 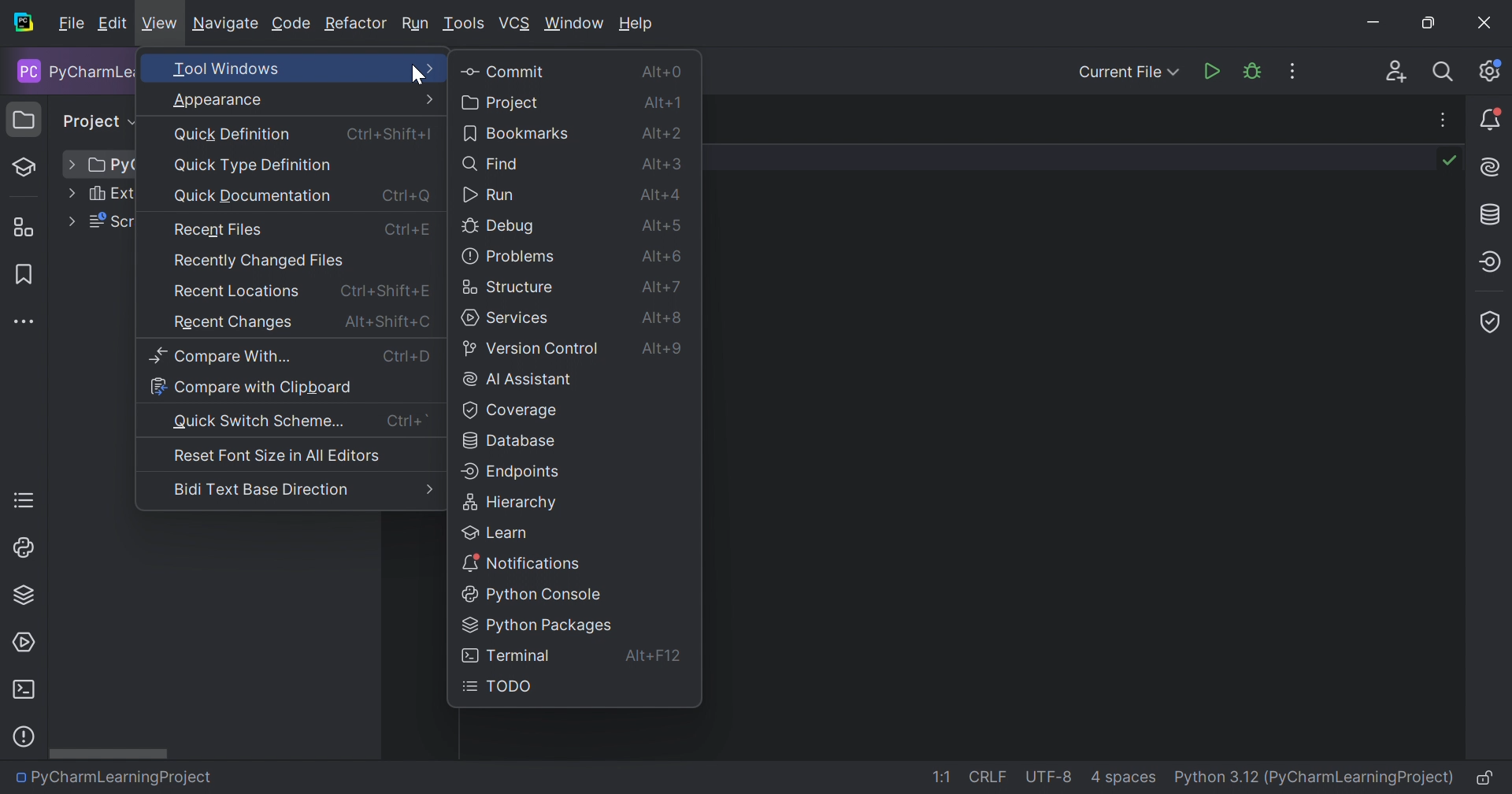 I want to click on Alt+9, so click(x=662, y=349).